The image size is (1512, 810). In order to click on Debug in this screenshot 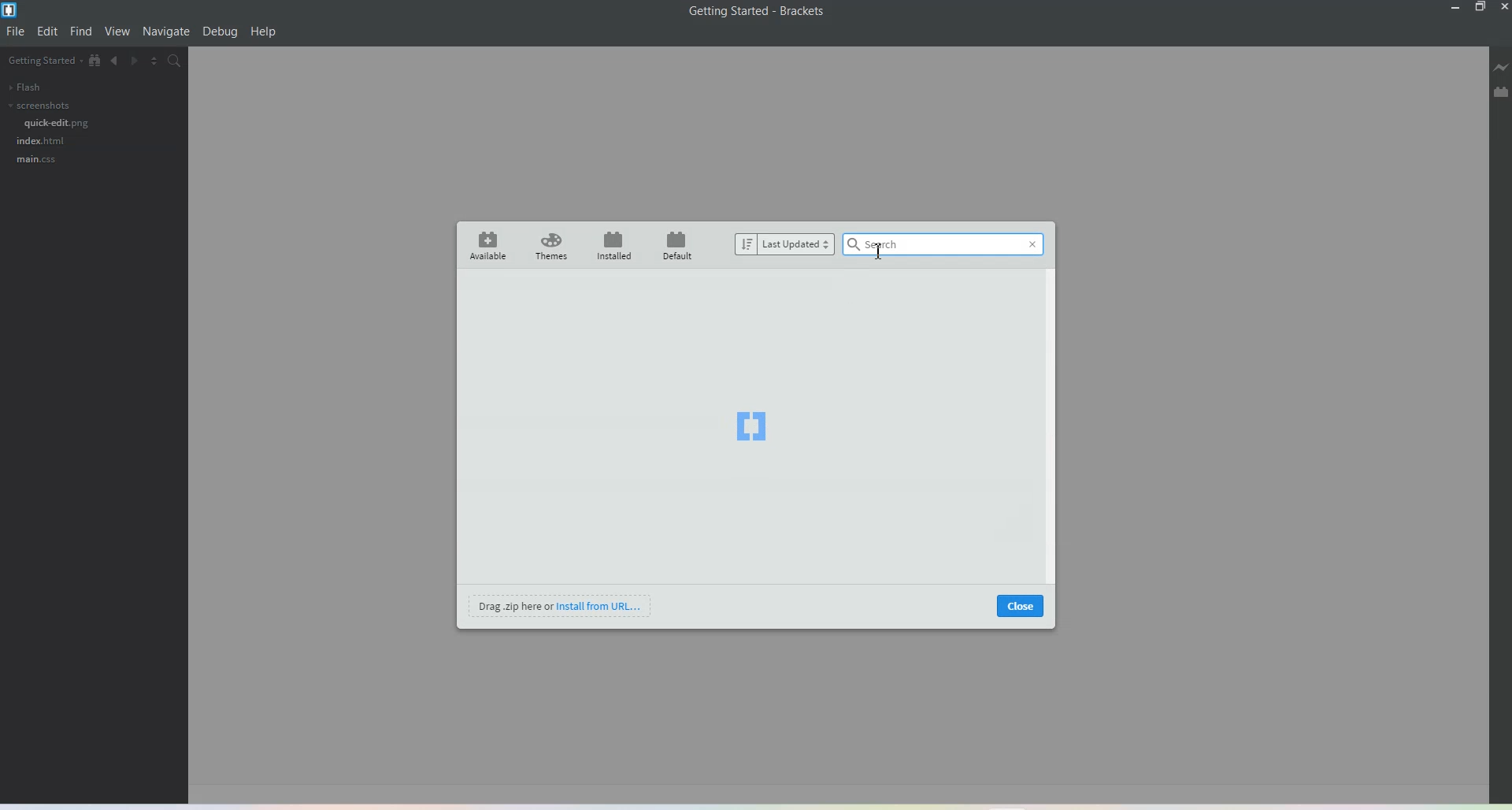, I will do `click(220, 32)`.